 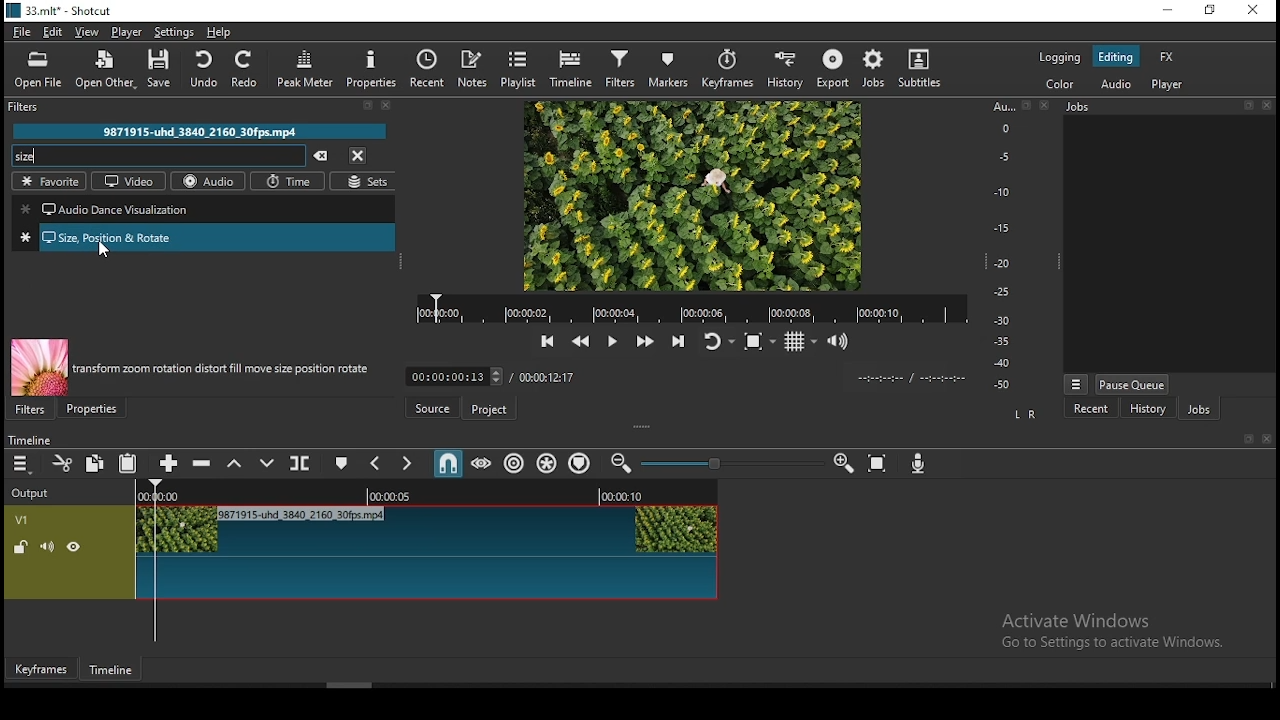 What do you see at coordinates (92, 408) in the screenshot?
I see `properties` at bounding box center [92, 408].